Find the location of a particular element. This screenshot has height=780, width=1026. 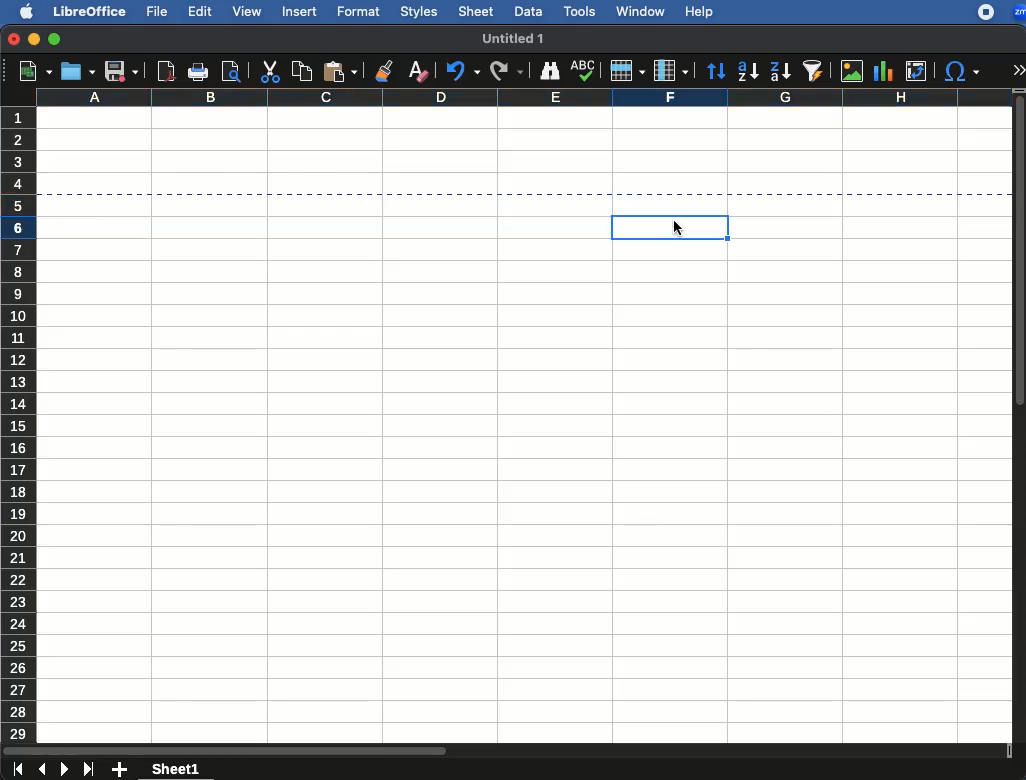

view is located at coordinates (246, 12).